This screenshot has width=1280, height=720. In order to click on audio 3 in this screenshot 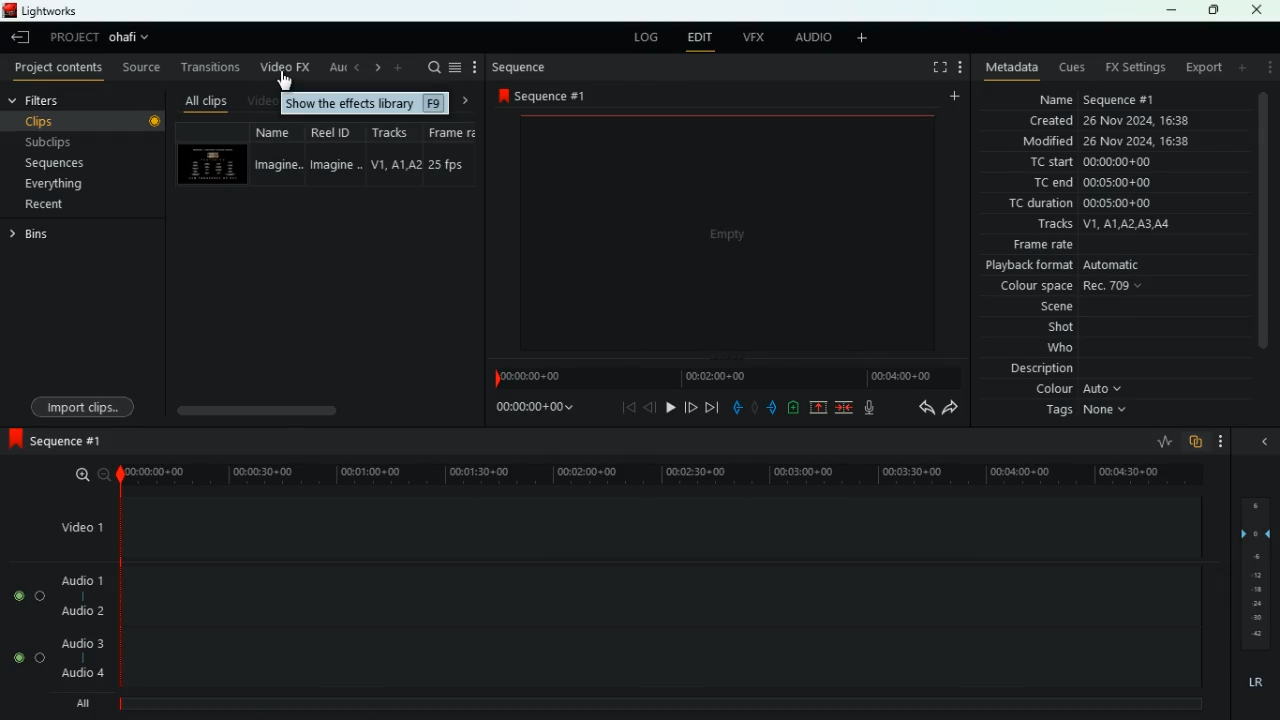, I will do `click(82, 644)`.